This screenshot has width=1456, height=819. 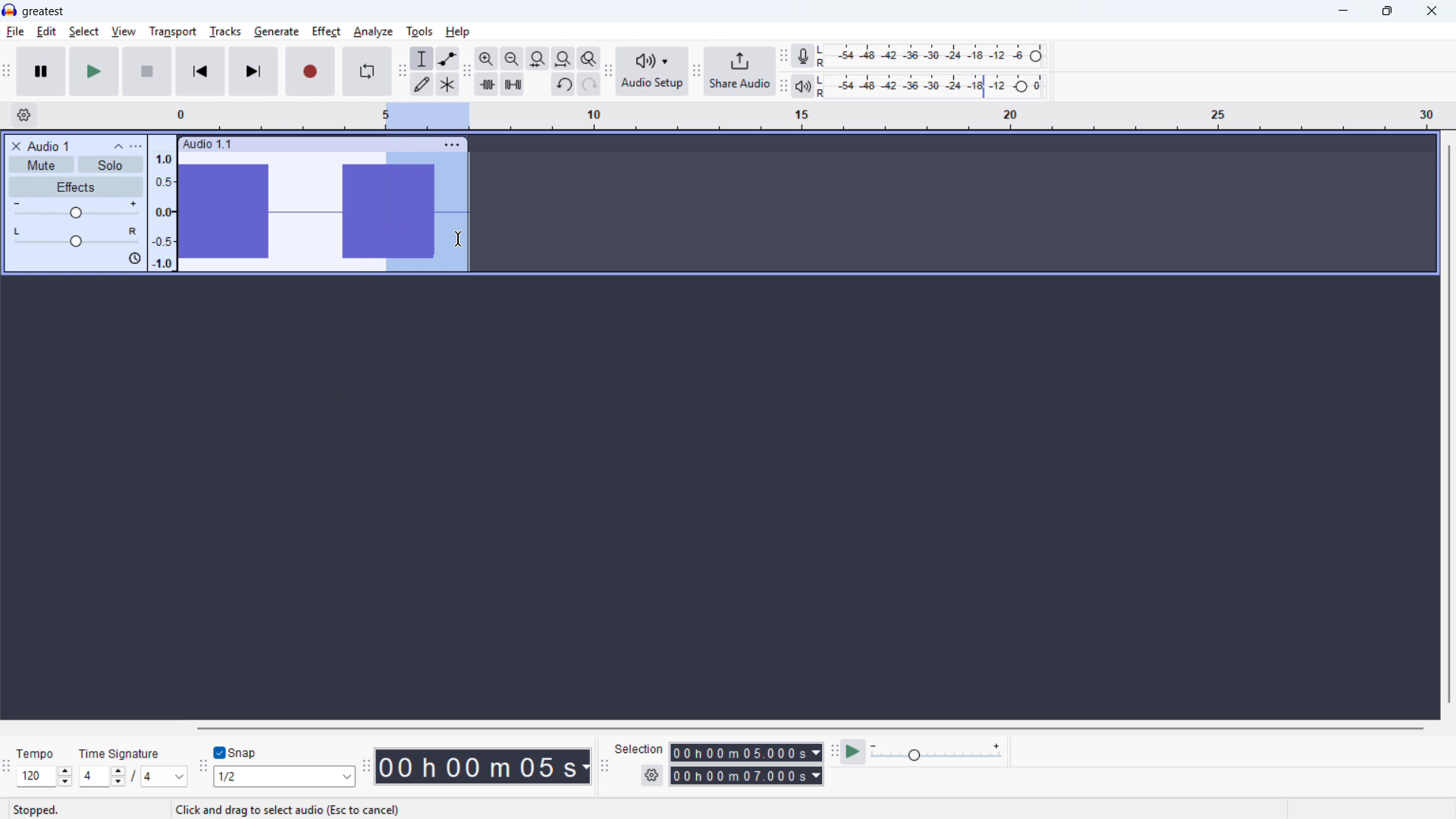 What do you see at coordinates (339, 143) in the screenshot?
I see `Click to drag ` at bounding box center [339, 143].